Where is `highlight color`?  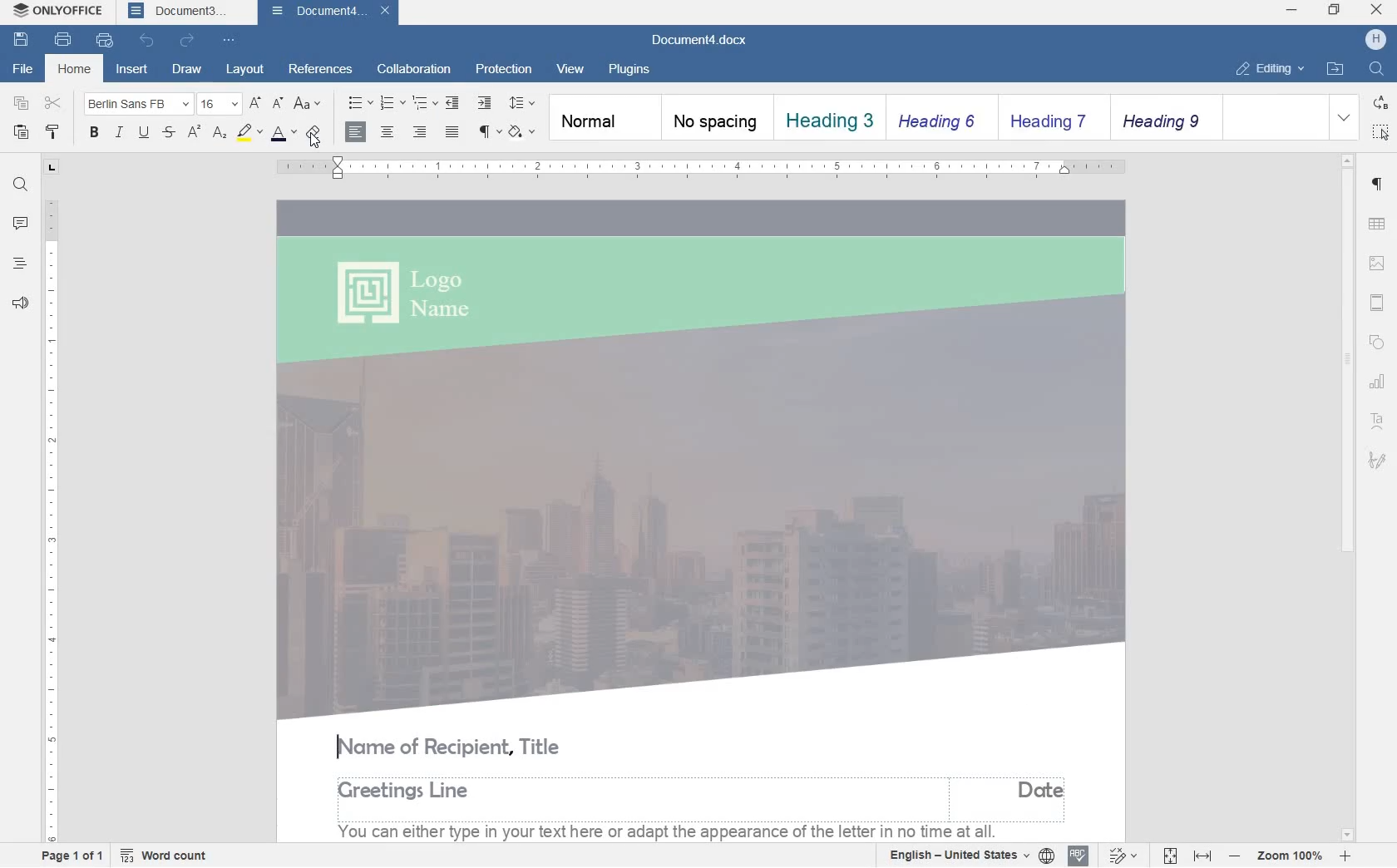
highlight color is located at coordinates (250, 131).